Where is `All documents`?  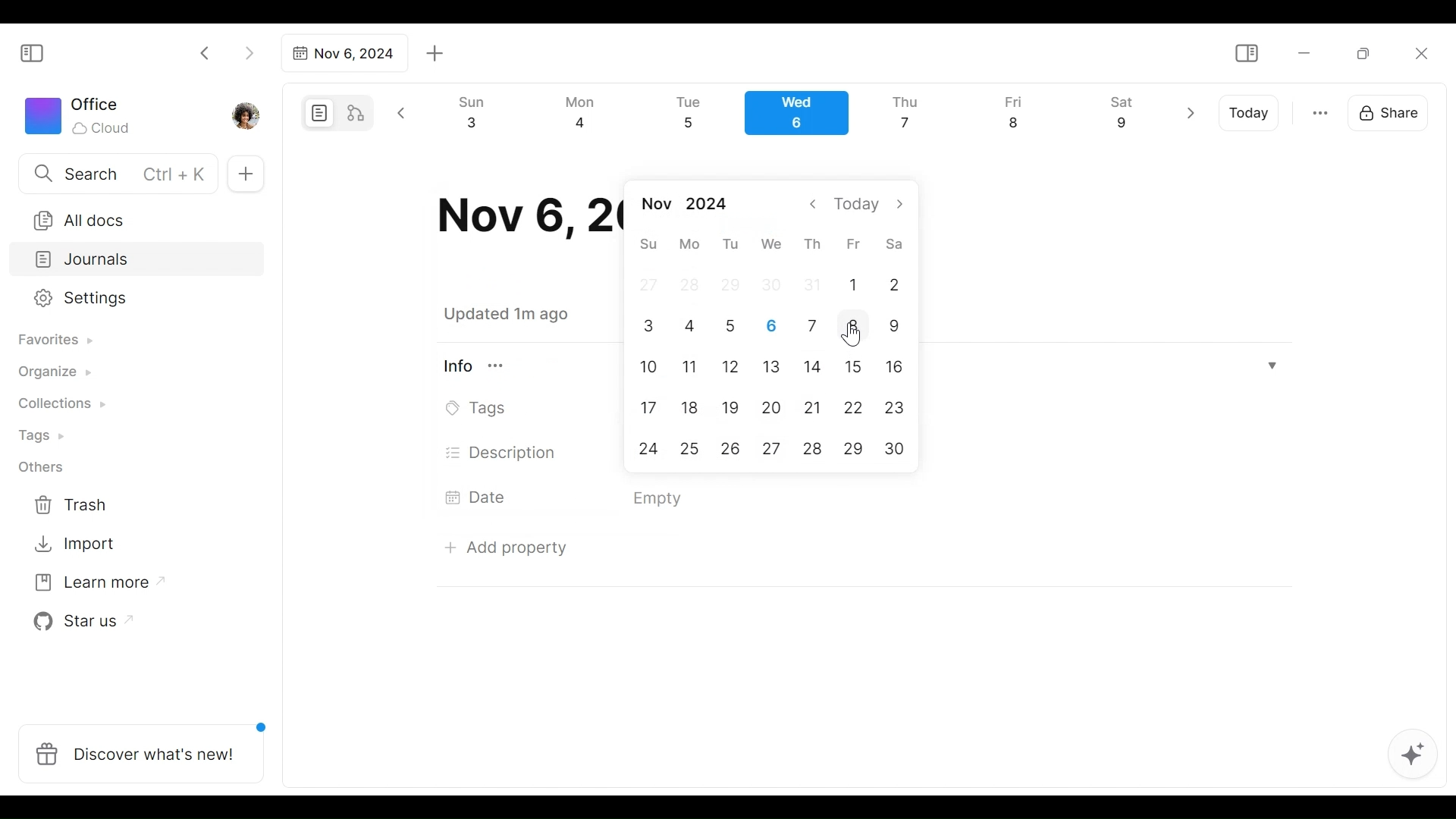
All documents is located at coordinates (131, 218).